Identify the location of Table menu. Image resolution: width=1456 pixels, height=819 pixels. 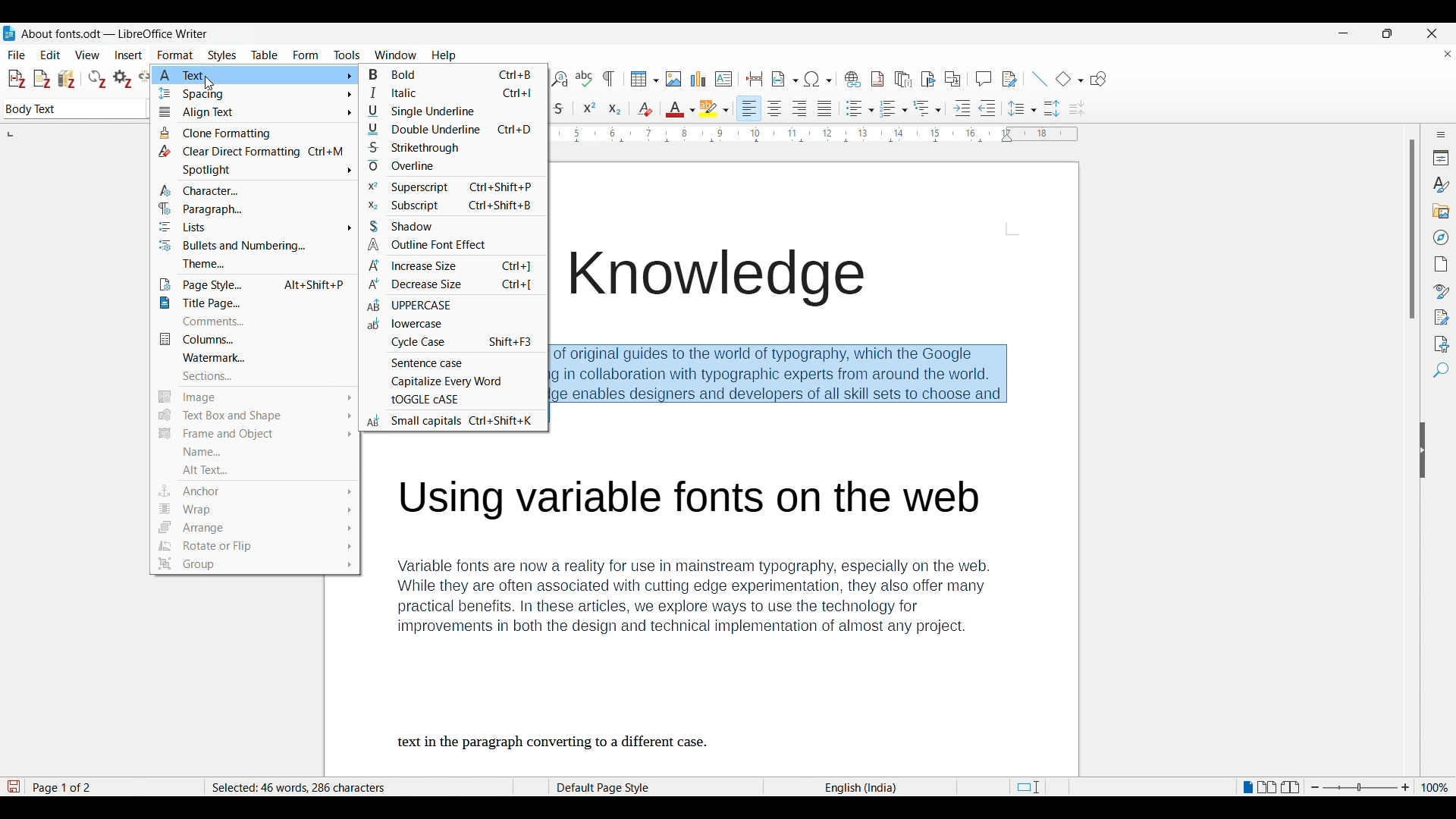
(265, 55).